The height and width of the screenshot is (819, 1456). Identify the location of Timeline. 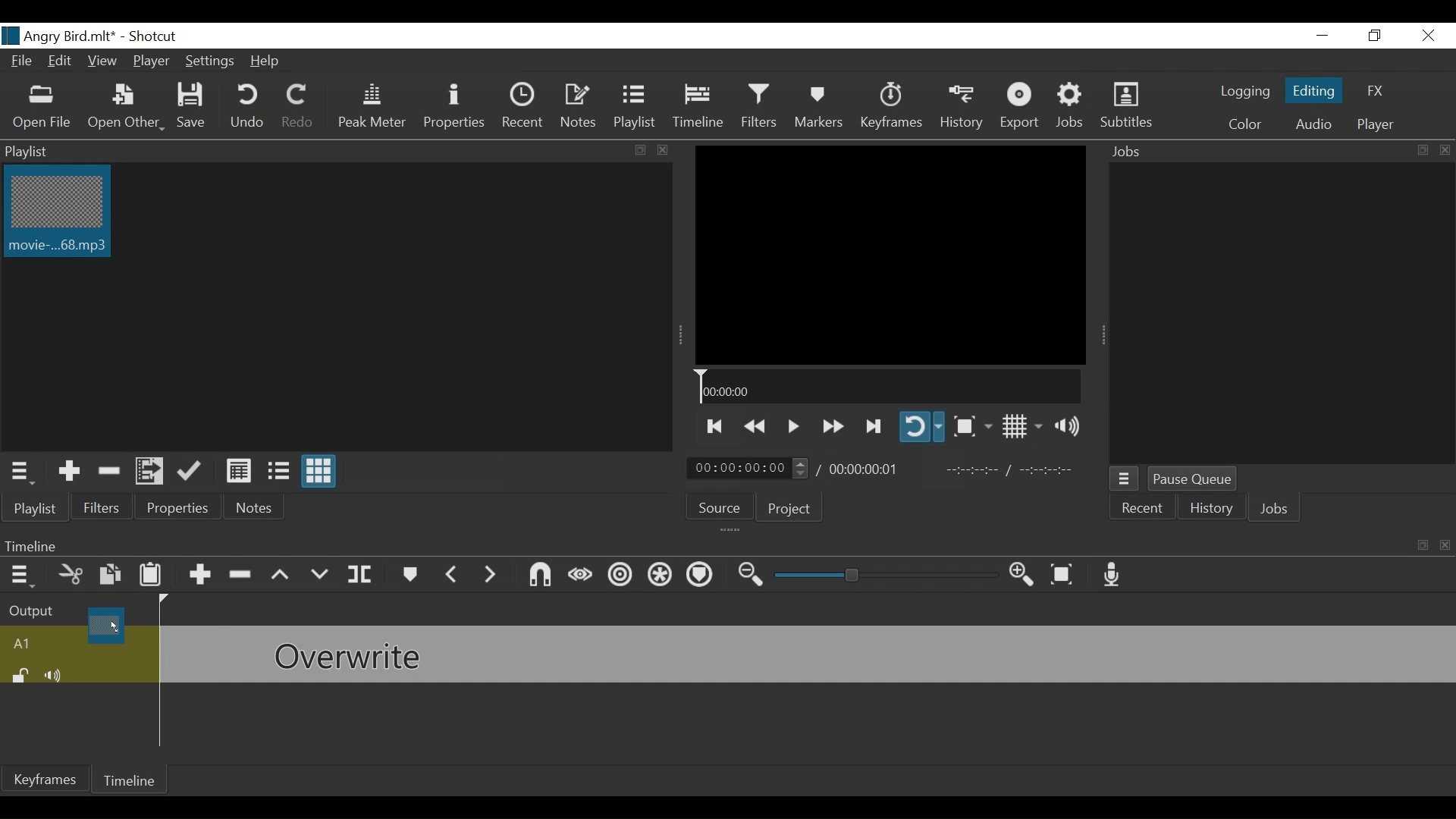
(698, 106).